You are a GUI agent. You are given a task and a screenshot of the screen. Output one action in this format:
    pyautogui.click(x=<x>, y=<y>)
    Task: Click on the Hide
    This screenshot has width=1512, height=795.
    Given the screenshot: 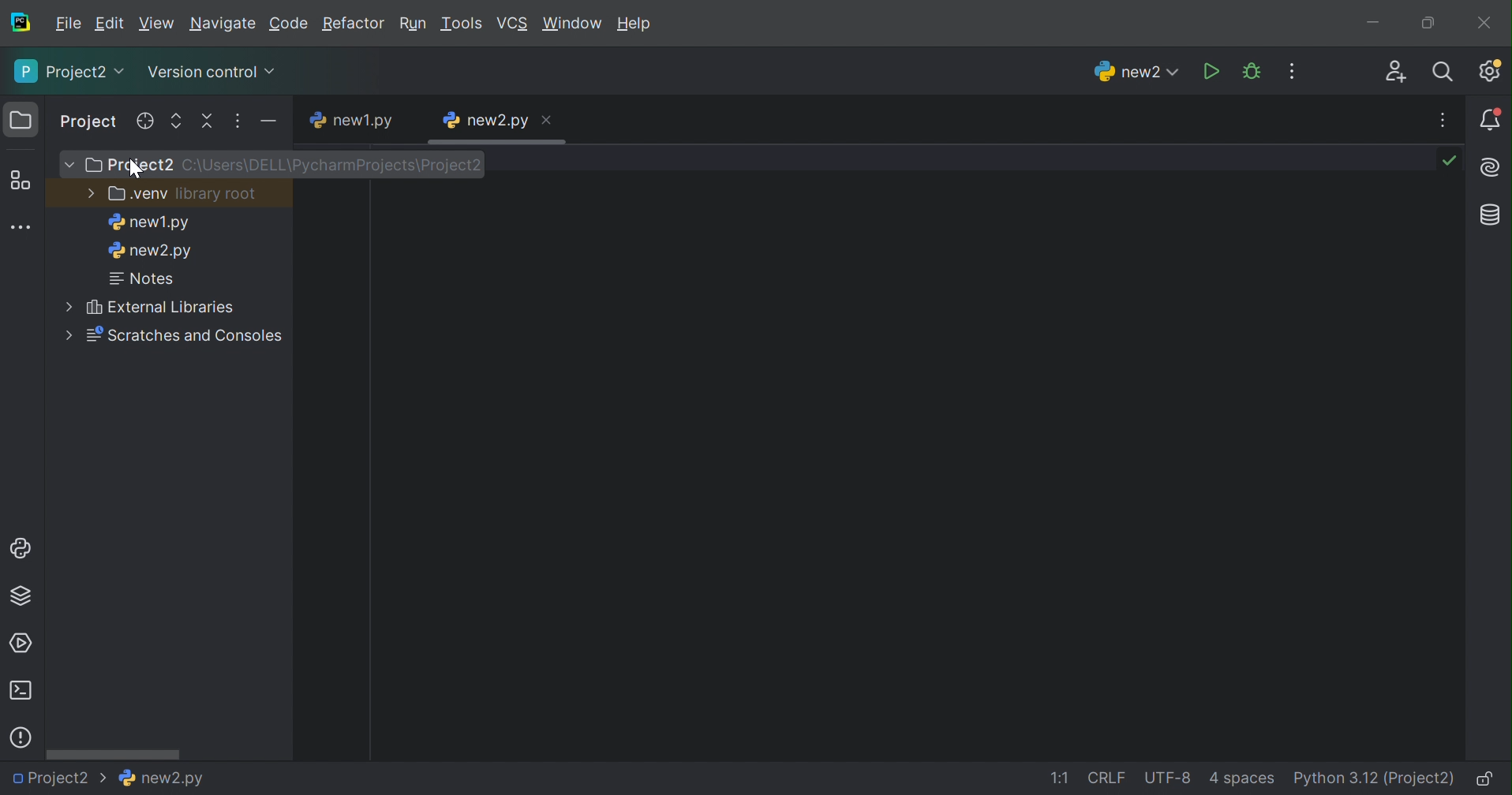 What is the action you would take?
    pyautogui.click(x=269, y=121)
    